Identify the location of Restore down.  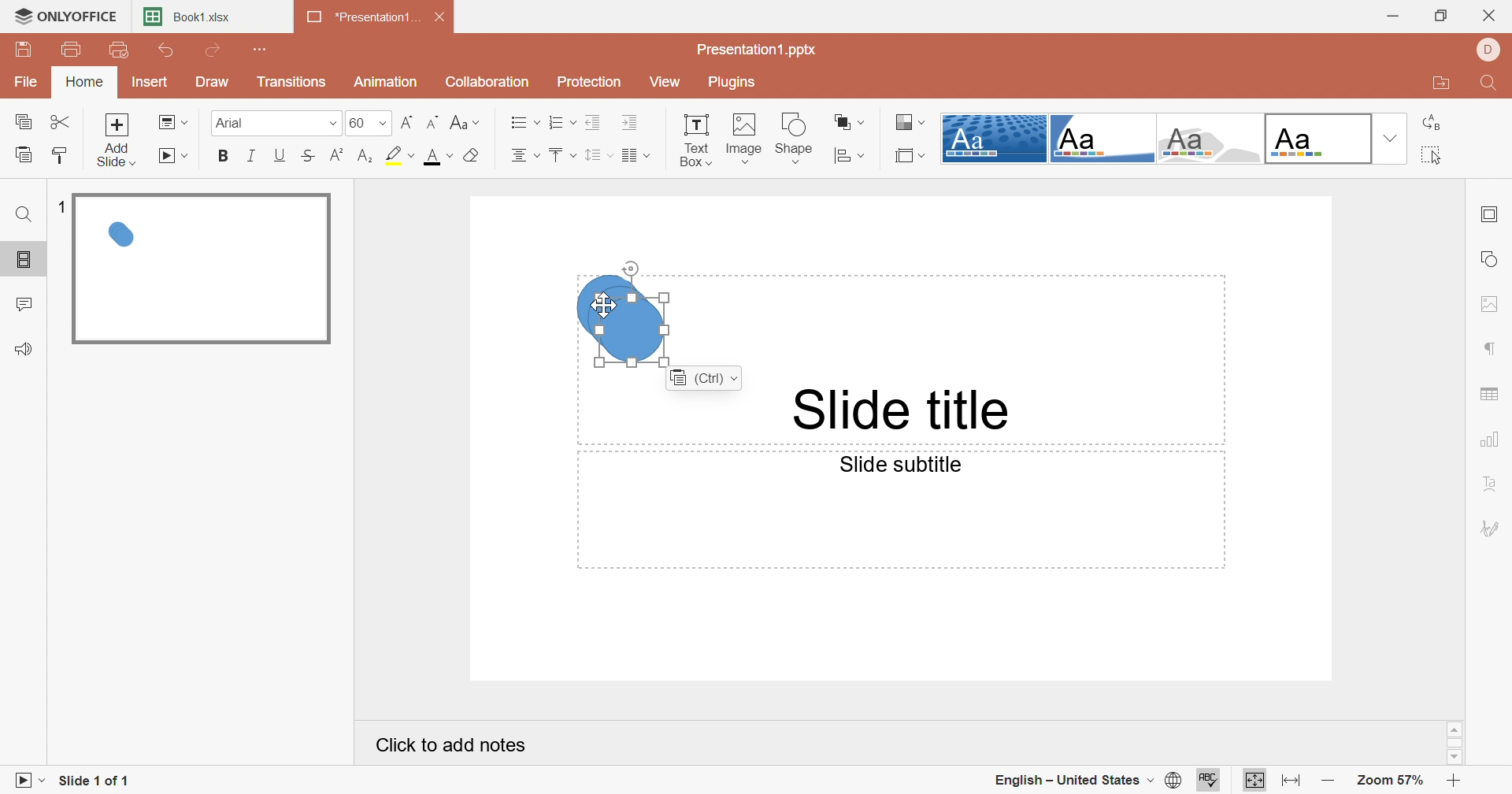
(1444, 15).